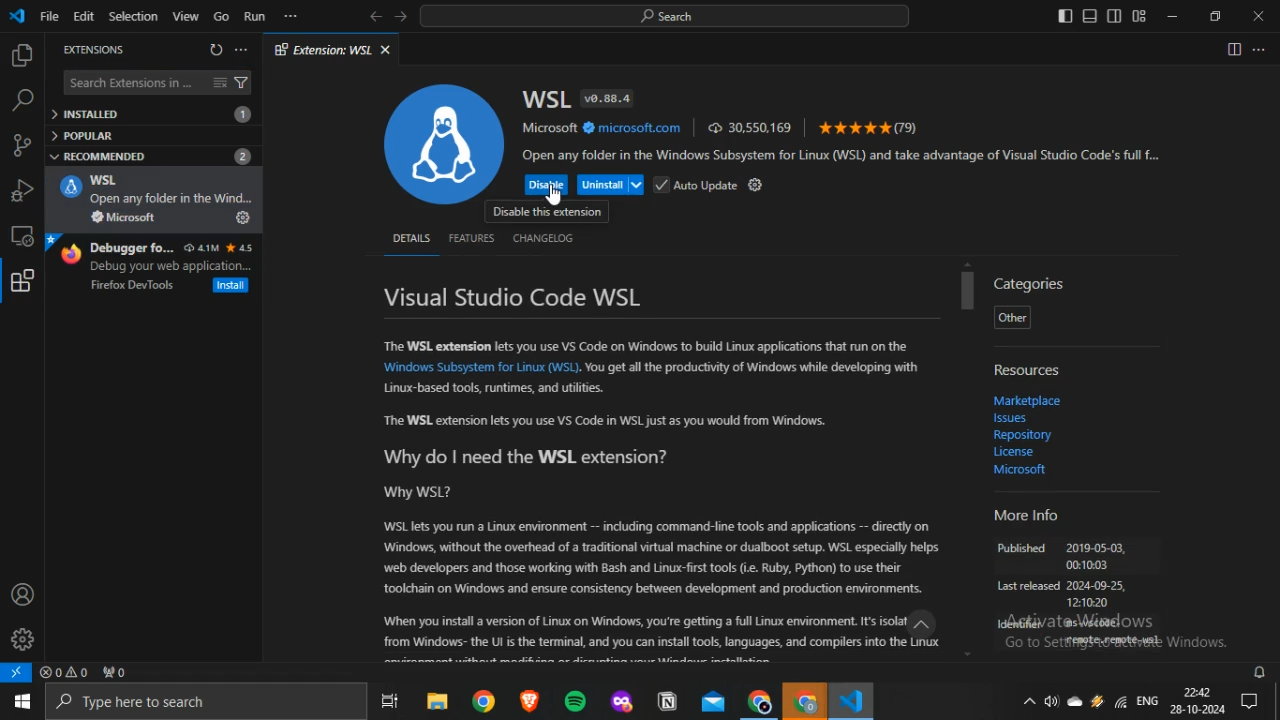 Image resolution: width=1280 pixels, height=720 pixels. Describe the element at coordinates (697, 184) in the screenshot. I see `Auto Update` at that location.